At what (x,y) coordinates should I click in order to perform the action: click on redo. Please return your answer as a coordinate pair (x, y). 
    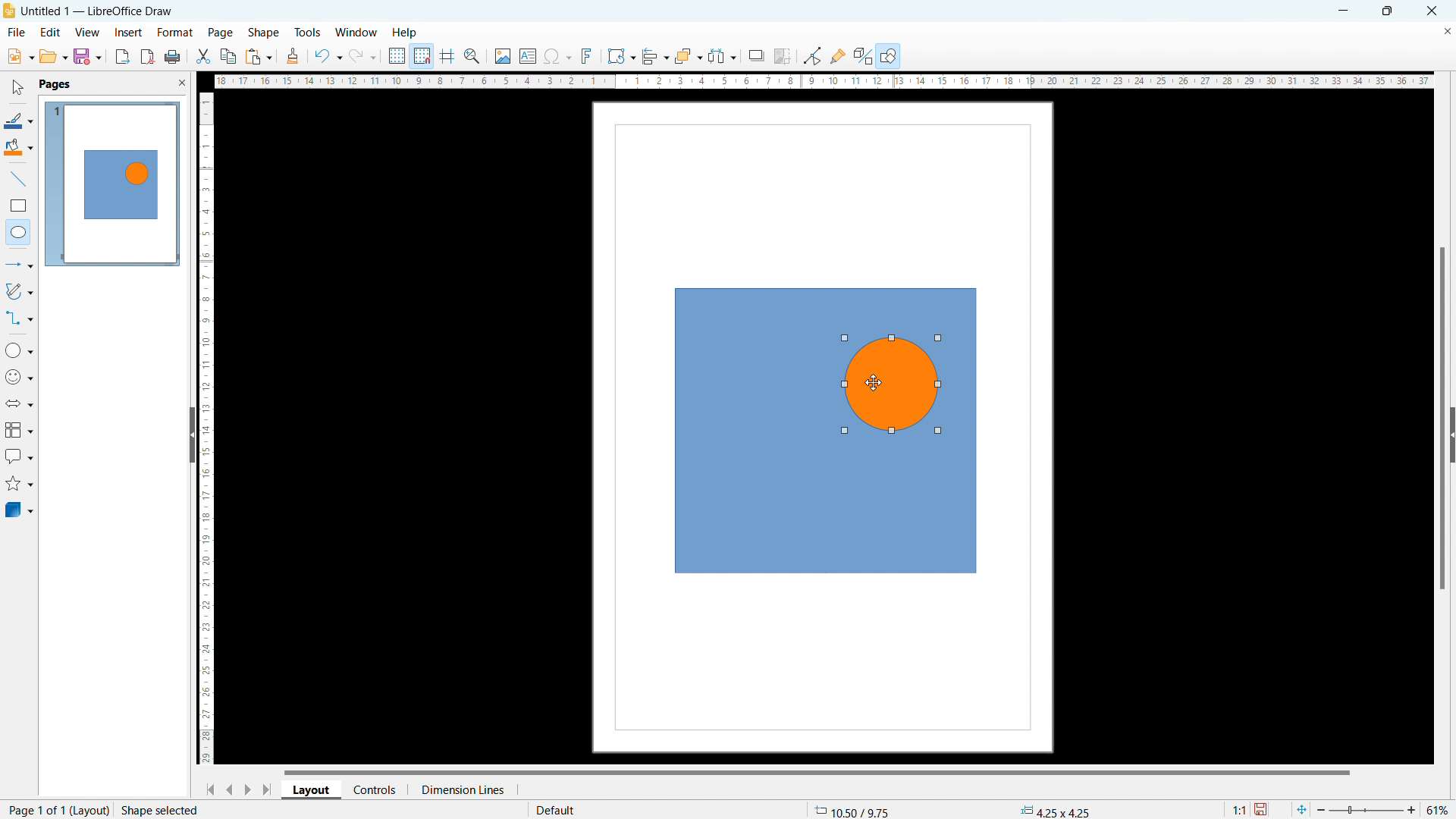
    Looking at the image, I should click on (362, 57).